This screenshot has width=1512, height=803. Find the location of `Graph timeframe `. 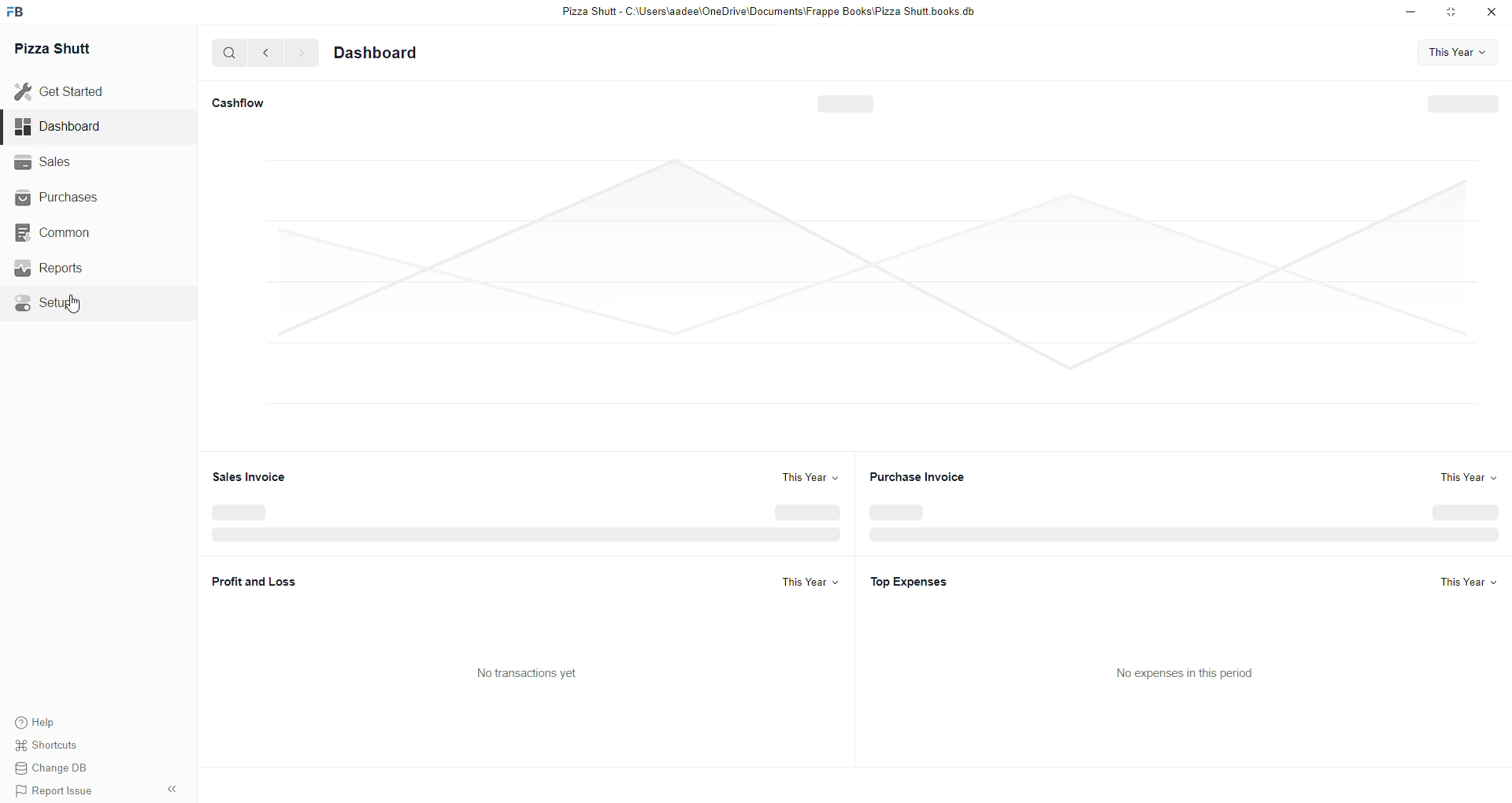

Graph timeframe  is located at coordinates (1459, 53).